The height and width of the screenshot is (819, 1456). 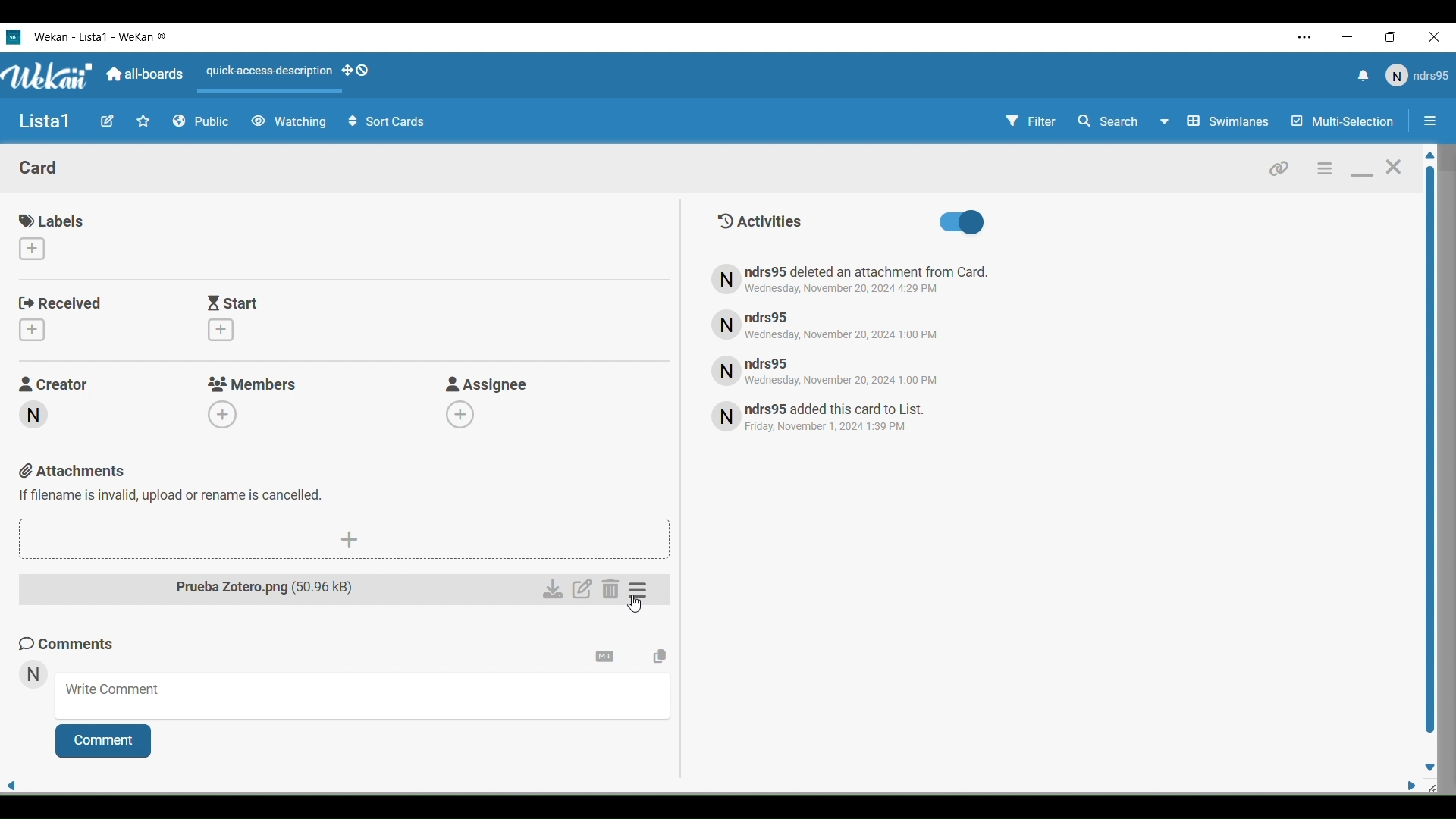 I want to click on Option, so click(x=1427, y=123).